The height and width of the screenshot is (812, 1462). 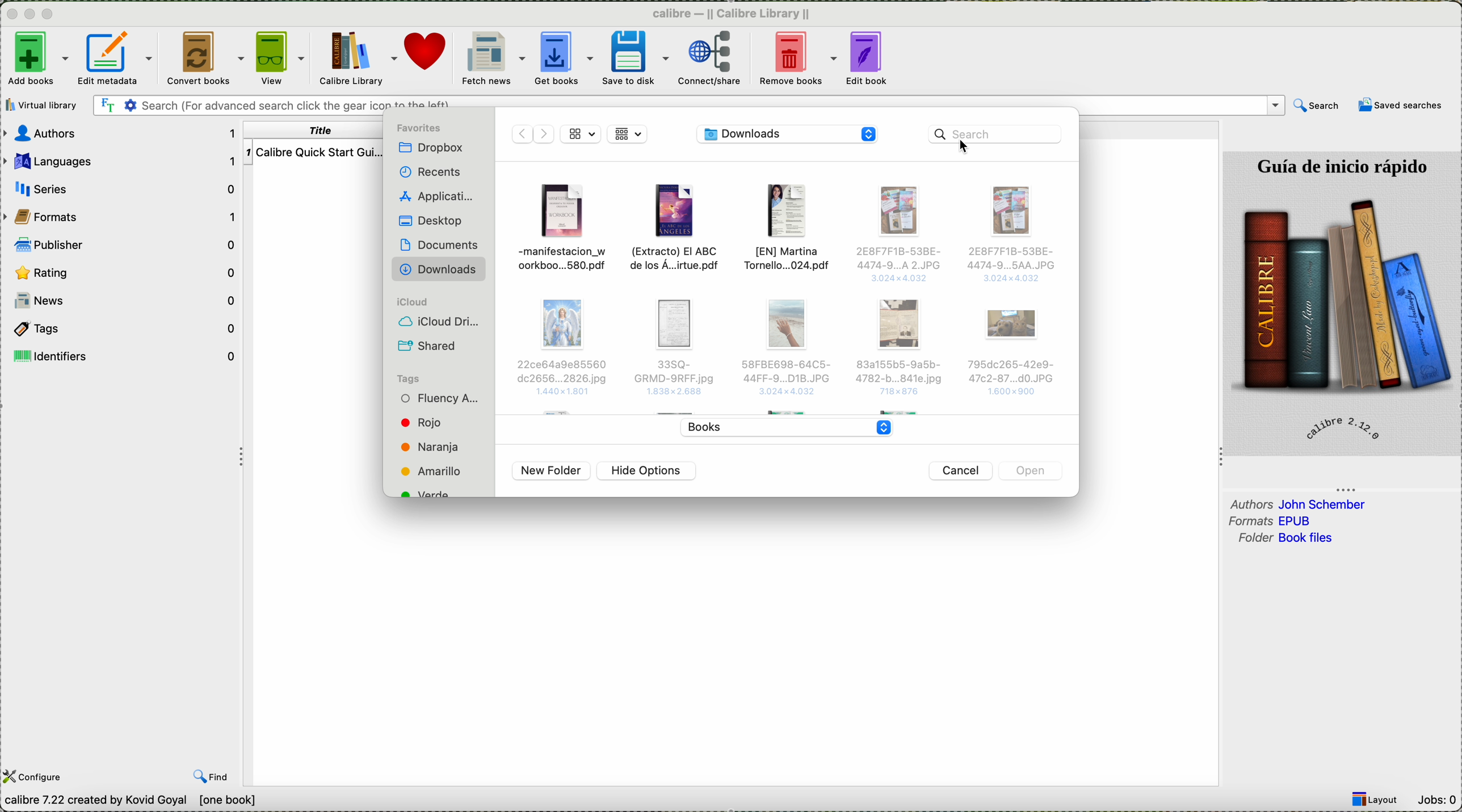 What do you see at coordinates (493, 59) in the screenshot?
I see `fetch news` at bounding box center [493, 59].